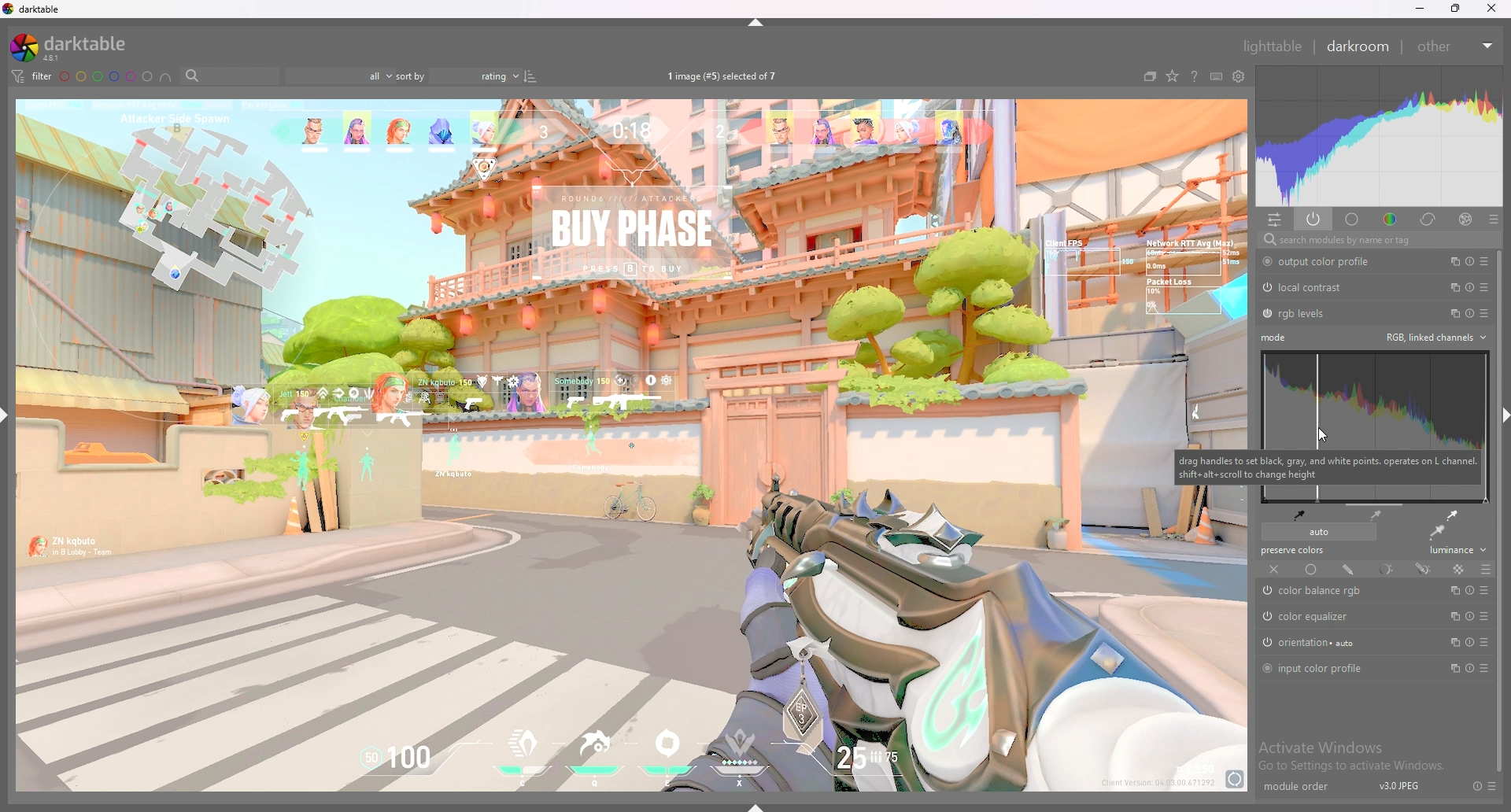 This screenshot has height=812, width=1511. I want to click on darktable, so click(34, 9).